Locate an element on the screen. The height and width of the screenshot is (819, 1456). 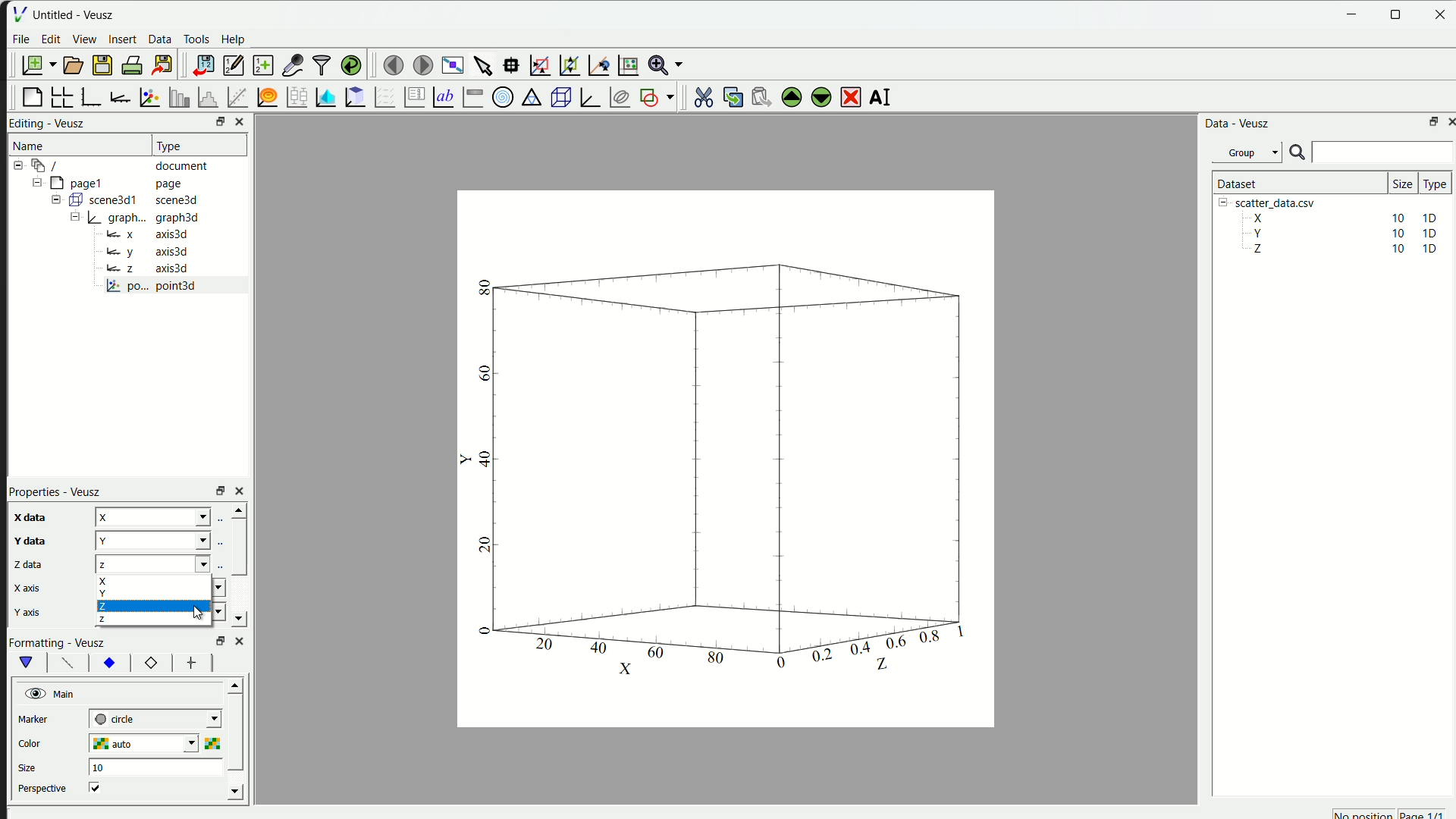
3D scene is located at coordinates (559, 96).